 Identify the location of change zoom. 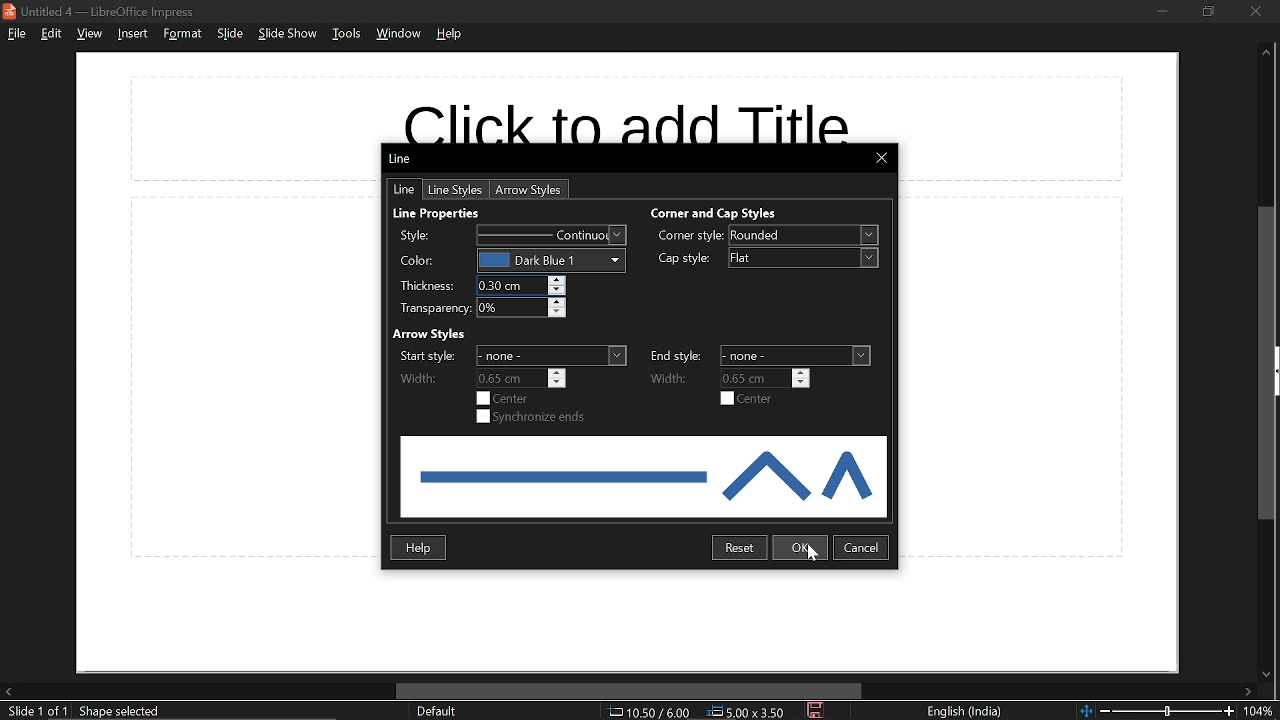
(1157, 711).